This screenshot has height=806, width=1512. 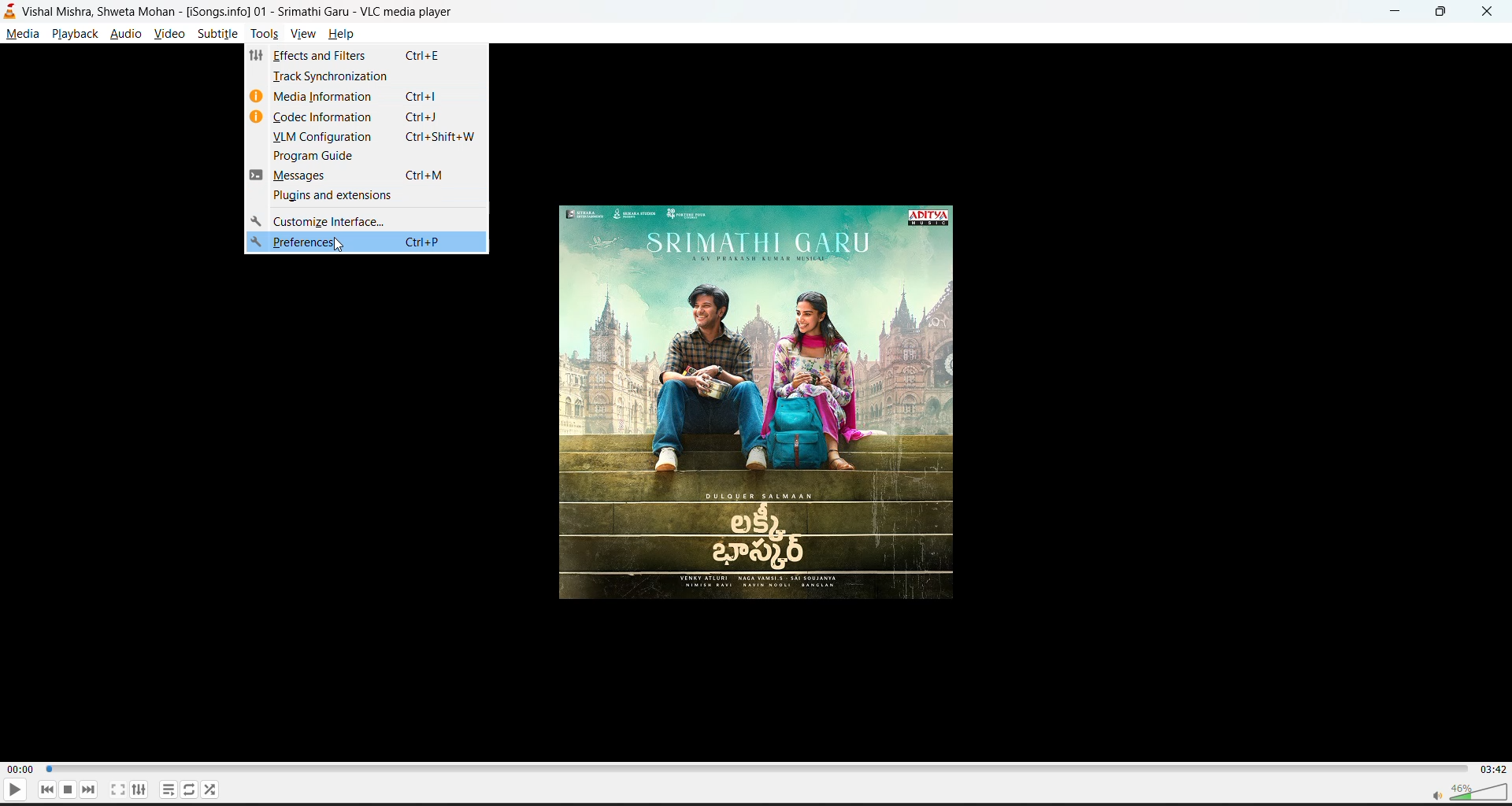 I want to click on random, so click(x=209, y=787).